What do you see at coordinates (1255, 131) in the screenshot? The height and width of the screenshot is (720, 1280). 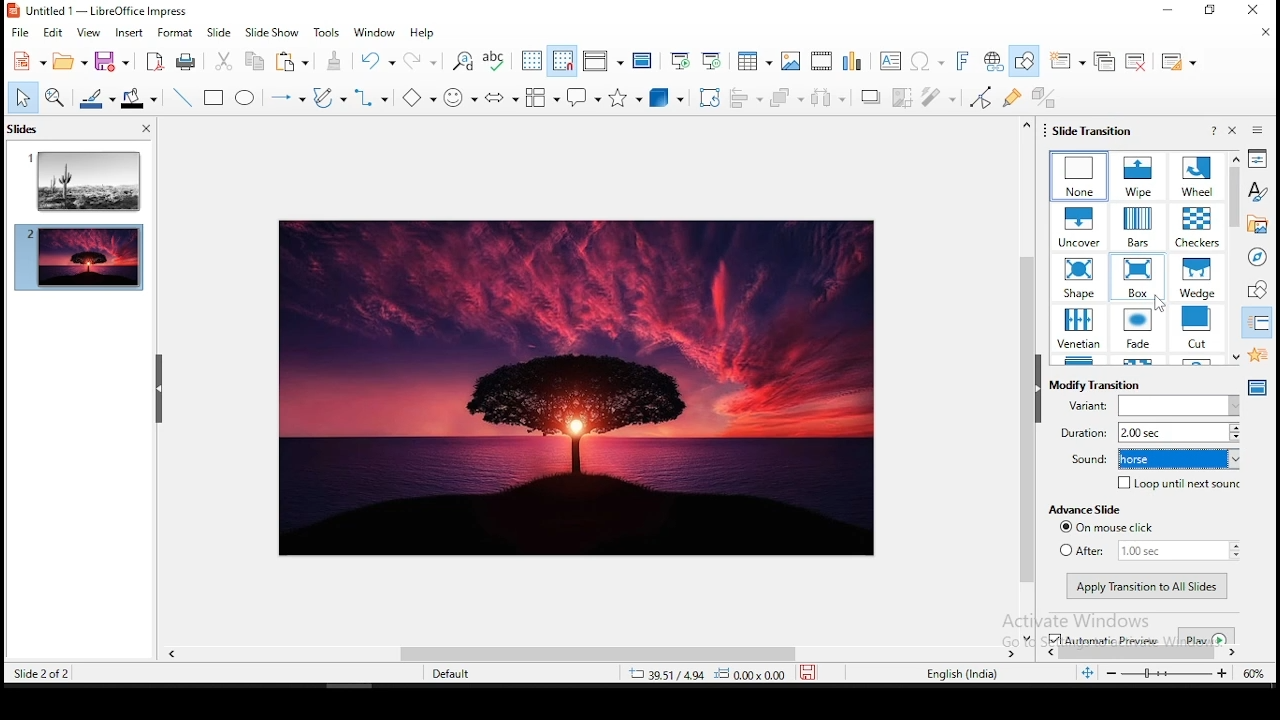 I see `sidebar settings` at bounding box center [1255, 131].